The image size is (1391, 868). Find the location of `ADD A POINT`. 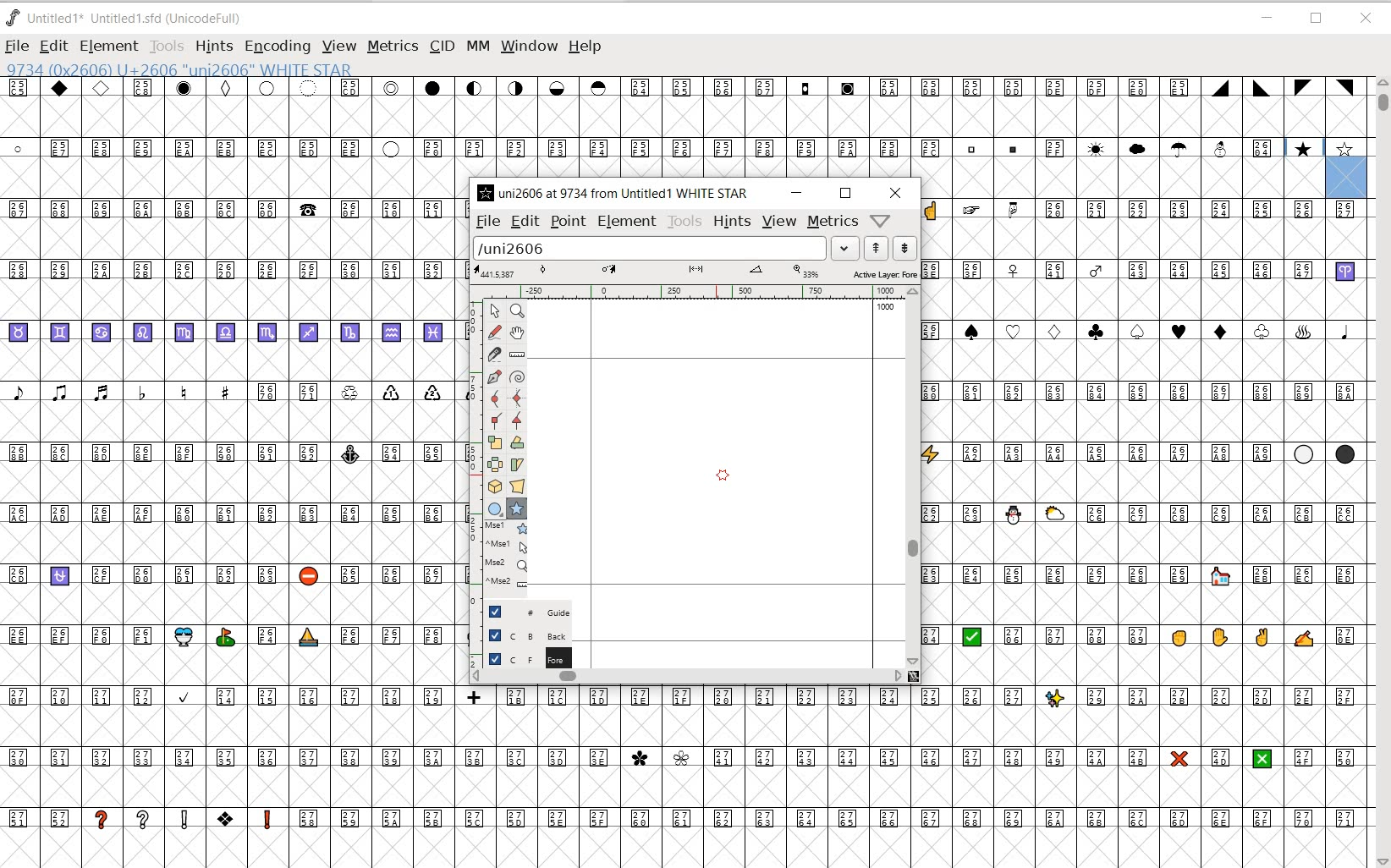

ADD A POINT is located at coordinates (496, 376).